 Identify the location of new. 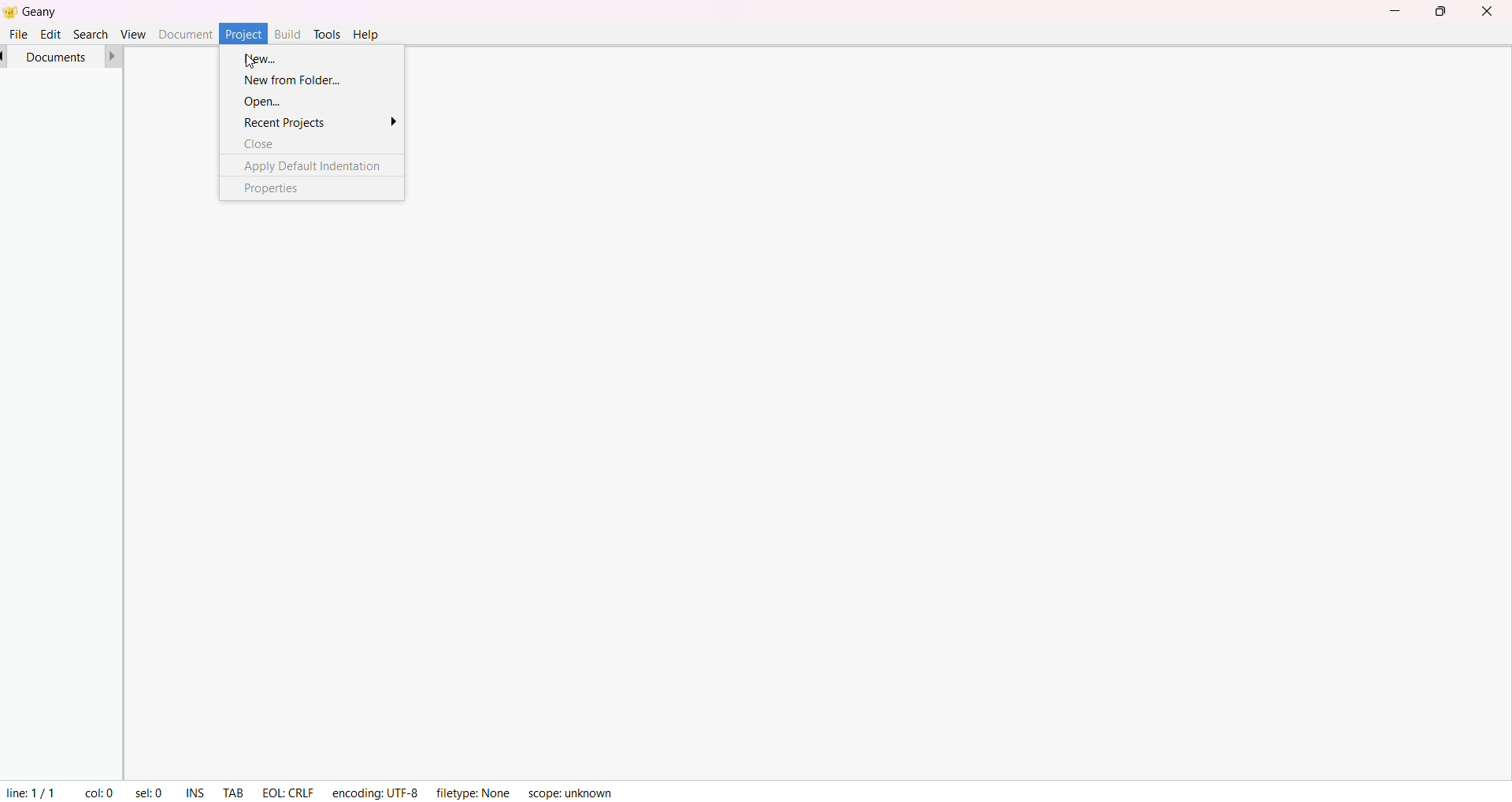
(271, 58).